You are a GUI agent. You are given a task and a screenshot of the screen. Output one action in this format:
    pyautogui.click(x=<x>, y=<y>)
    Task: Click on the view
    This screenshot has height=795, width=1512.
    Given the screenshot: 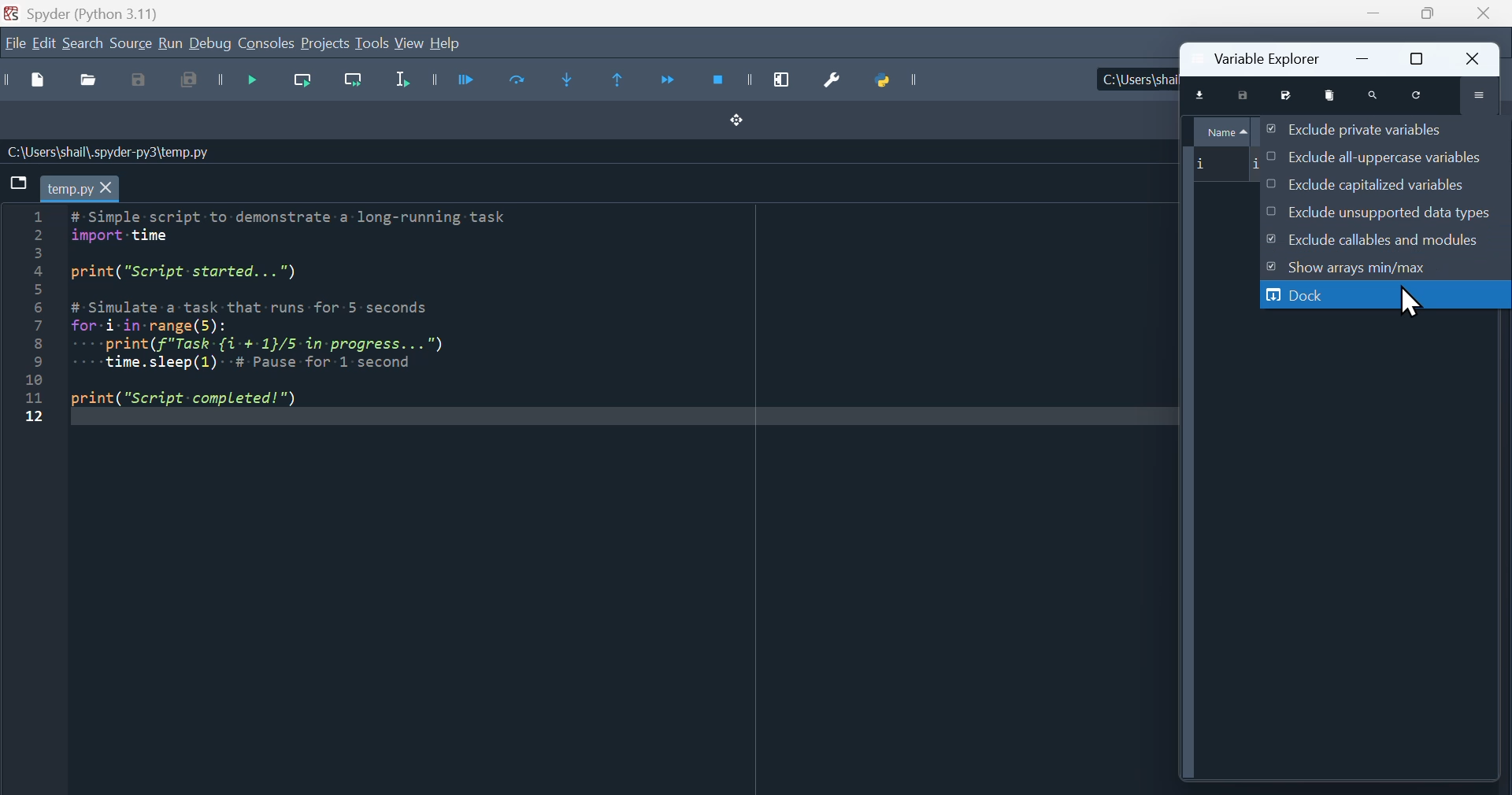 What is the action you would take?
    pyautogui.click(x=409, y=43)
    